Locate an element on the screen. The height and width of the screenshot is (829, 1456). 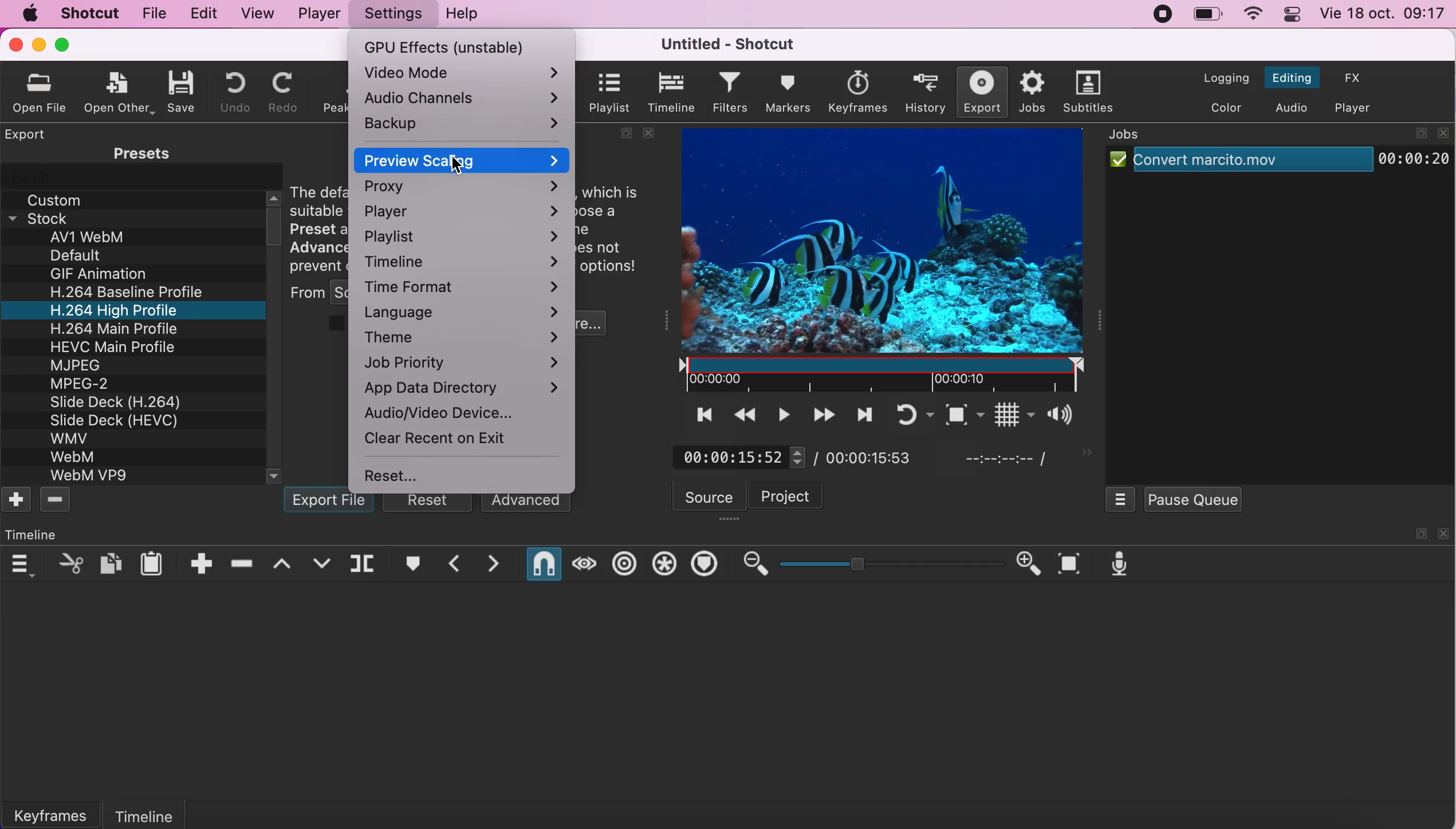
export is located at coordinates (977, 92).